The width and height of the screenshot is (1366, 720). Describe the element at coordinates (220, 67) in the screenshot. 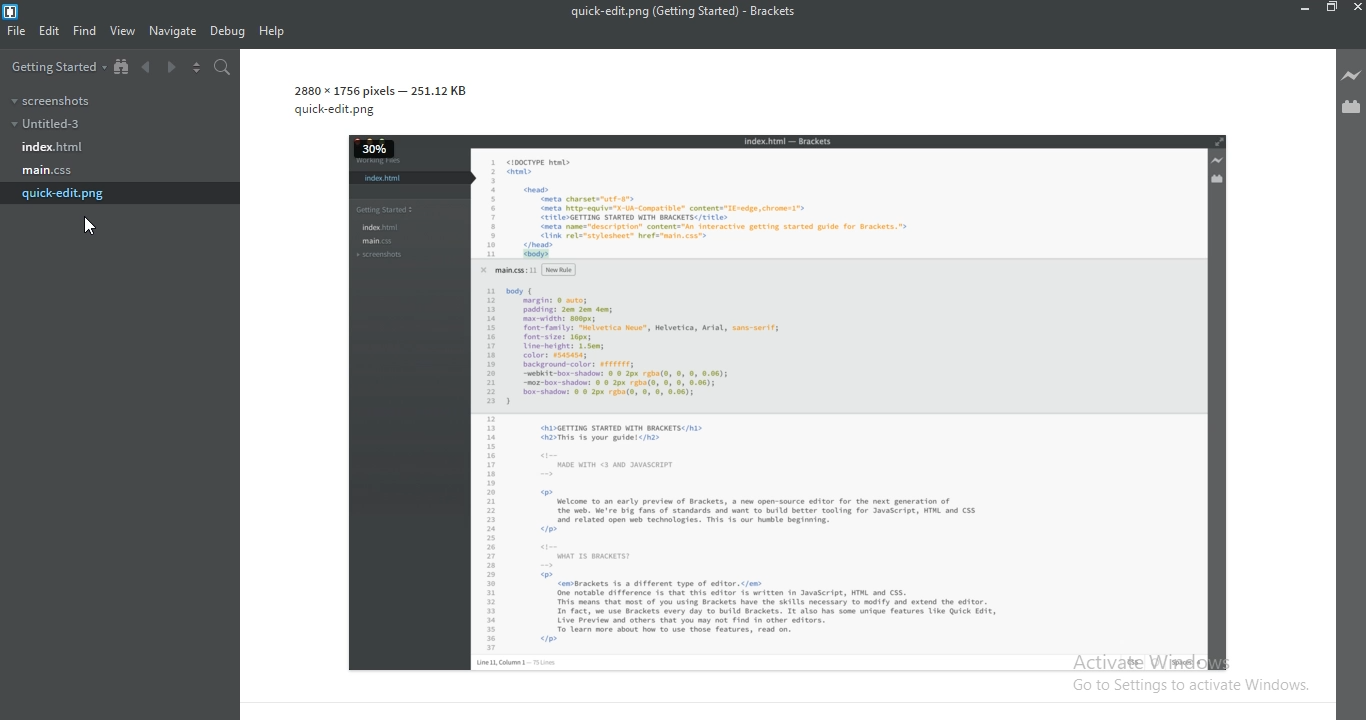

I see `search` at that location.